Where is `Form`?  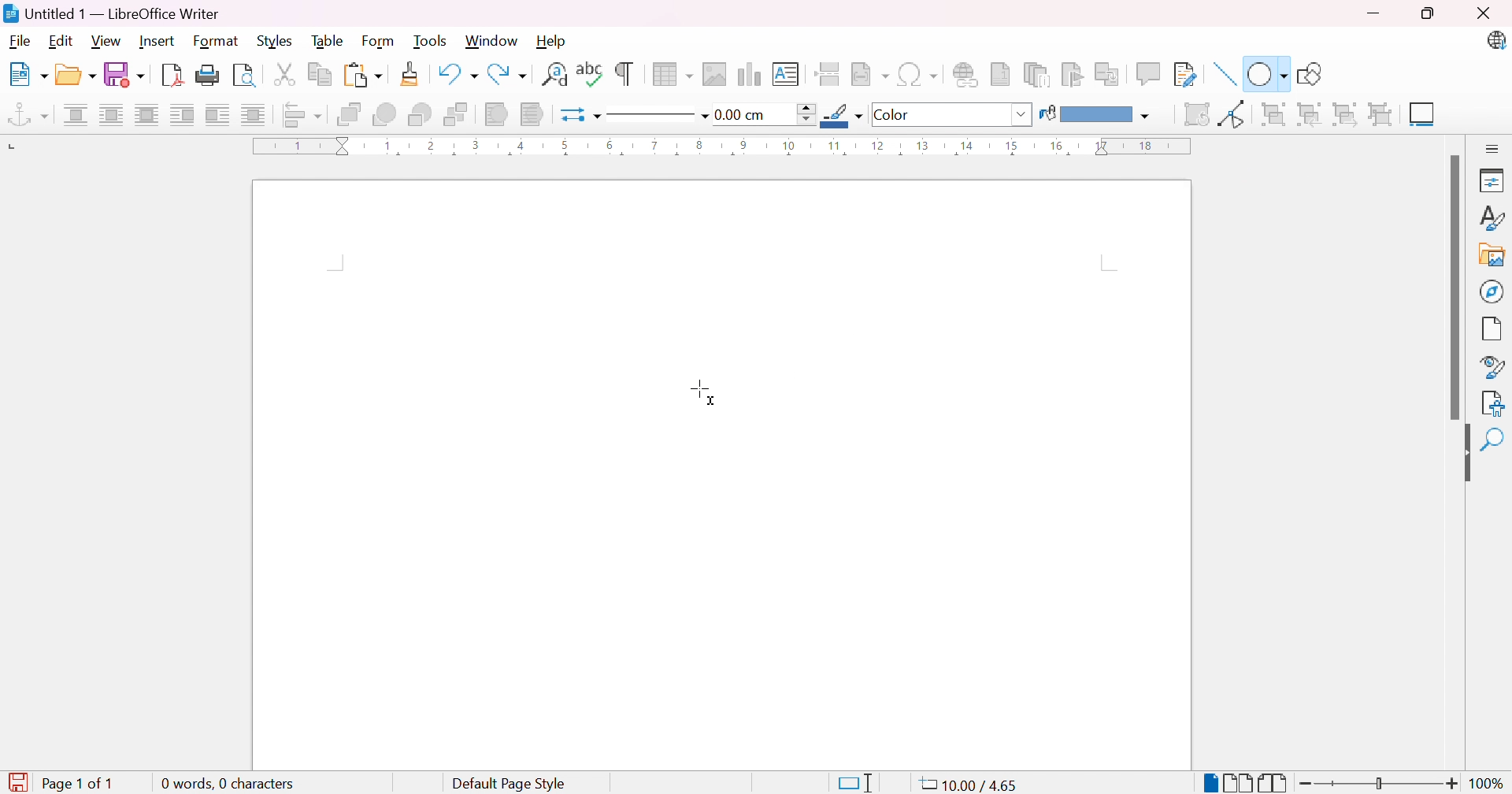
Form is located at coordinates (379, 42).